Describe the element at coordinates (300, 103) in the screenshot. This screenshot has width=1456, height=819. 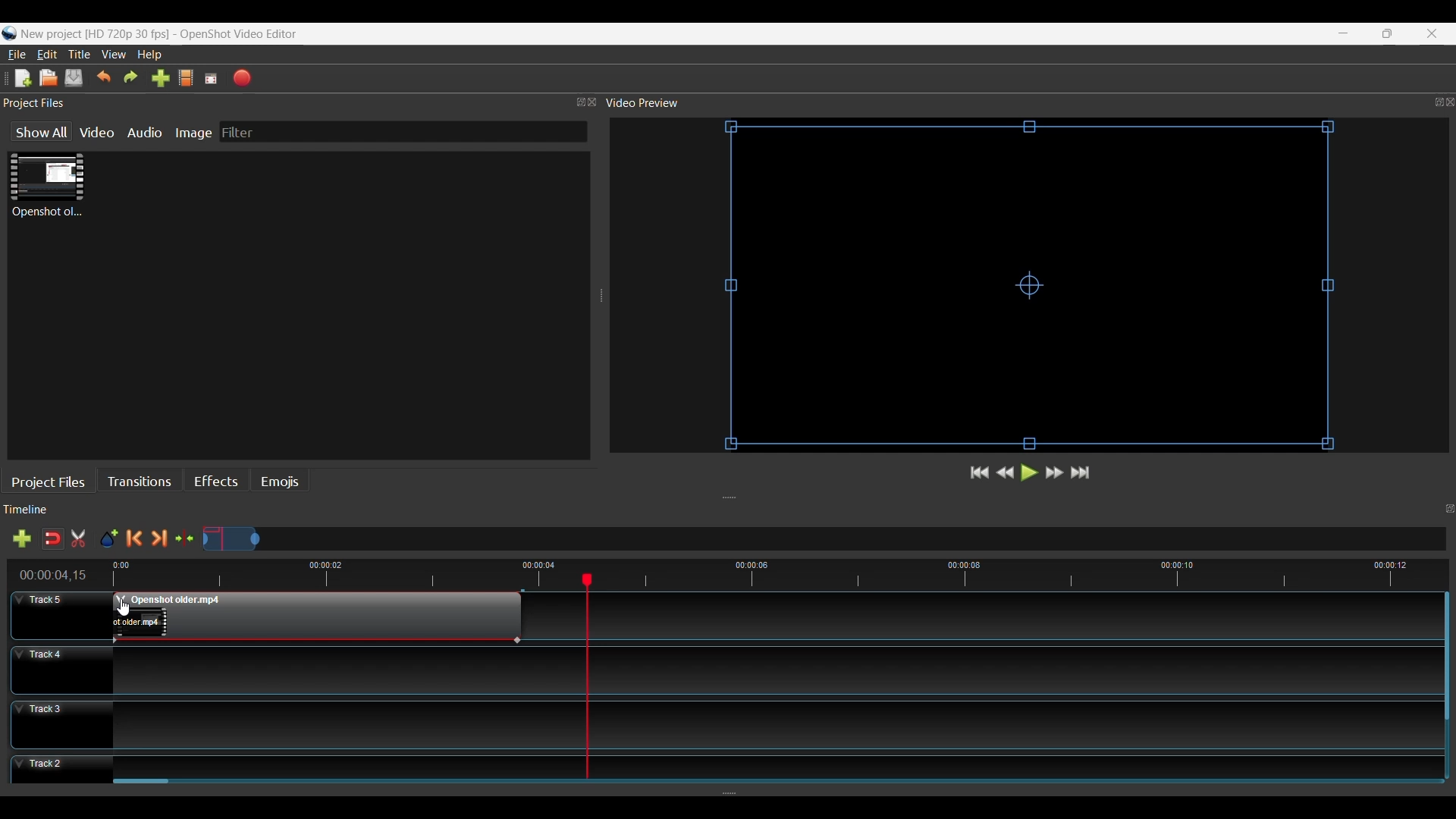
I see `Project Files Panel` at that location.